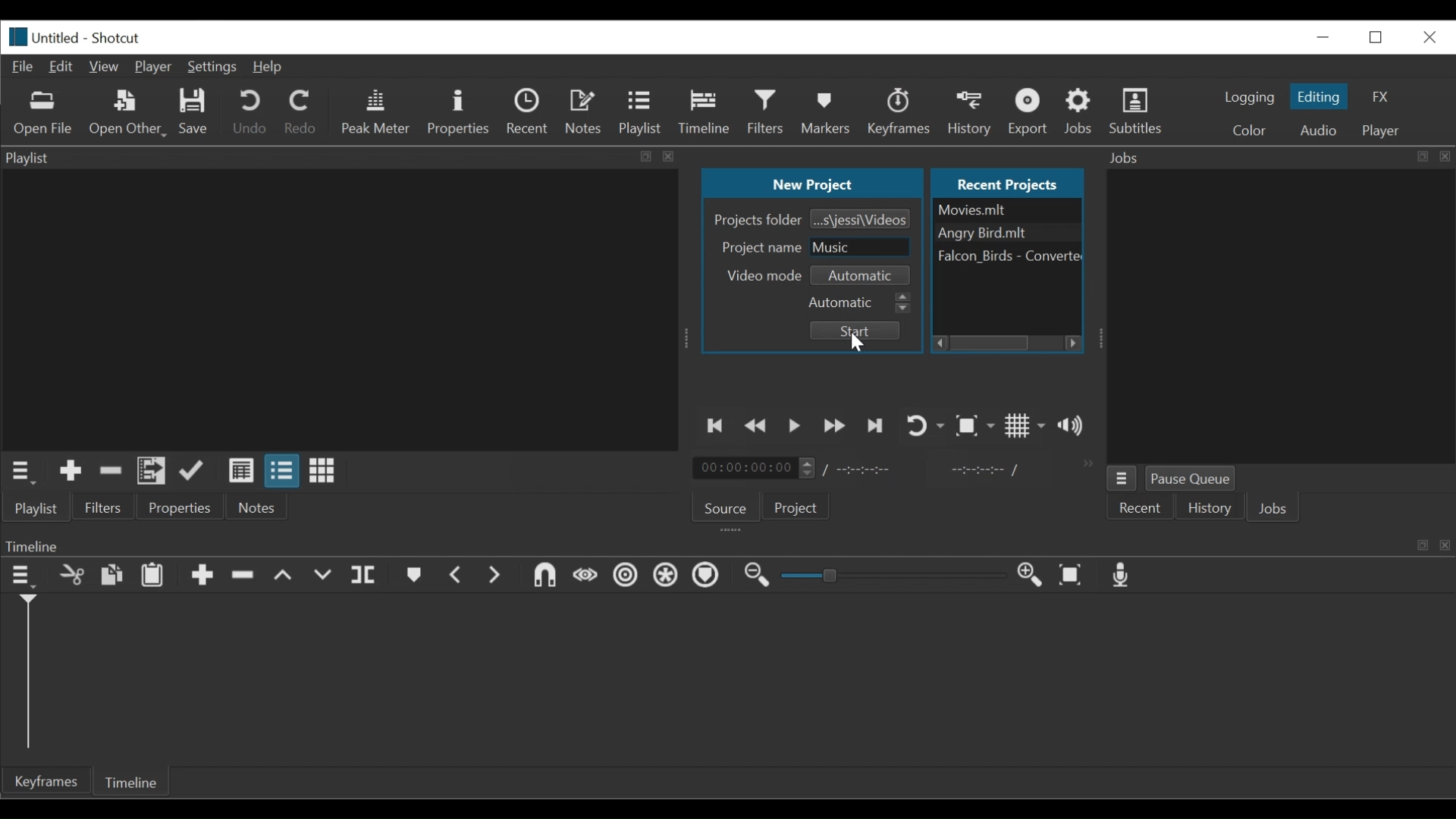 The height and width of the screenshot is (819, 1456). What do you see at coordinates (1320, 96) in the screenshot?
I see `Editing` at bounding box center [1320, 96].